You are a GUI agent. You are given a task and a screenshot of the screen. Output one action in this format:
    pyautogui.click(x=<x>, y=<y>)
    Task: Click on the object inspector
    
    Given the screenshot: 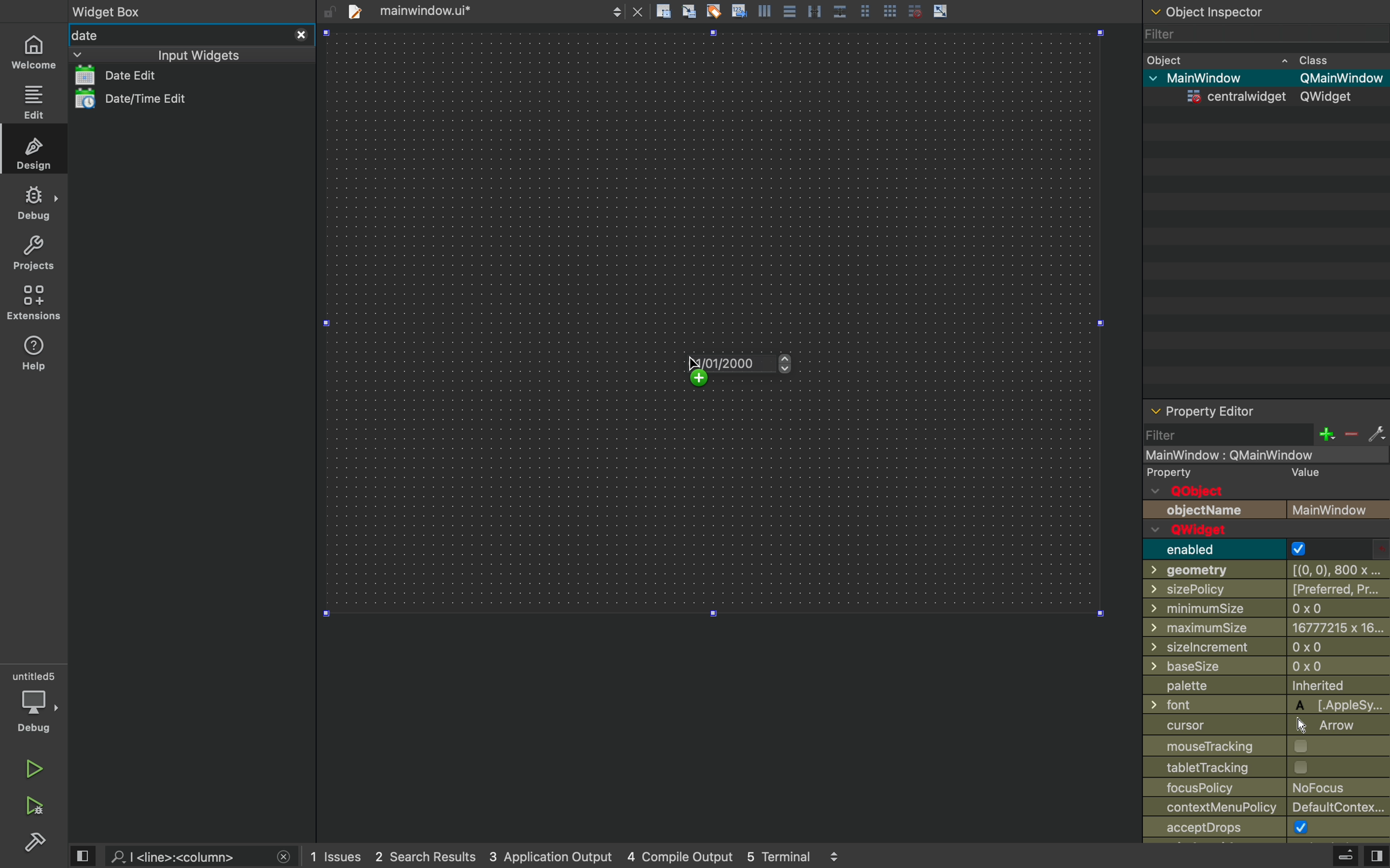 What is the action you would take?
    pyautogui.click(x=1266, y=12)
    